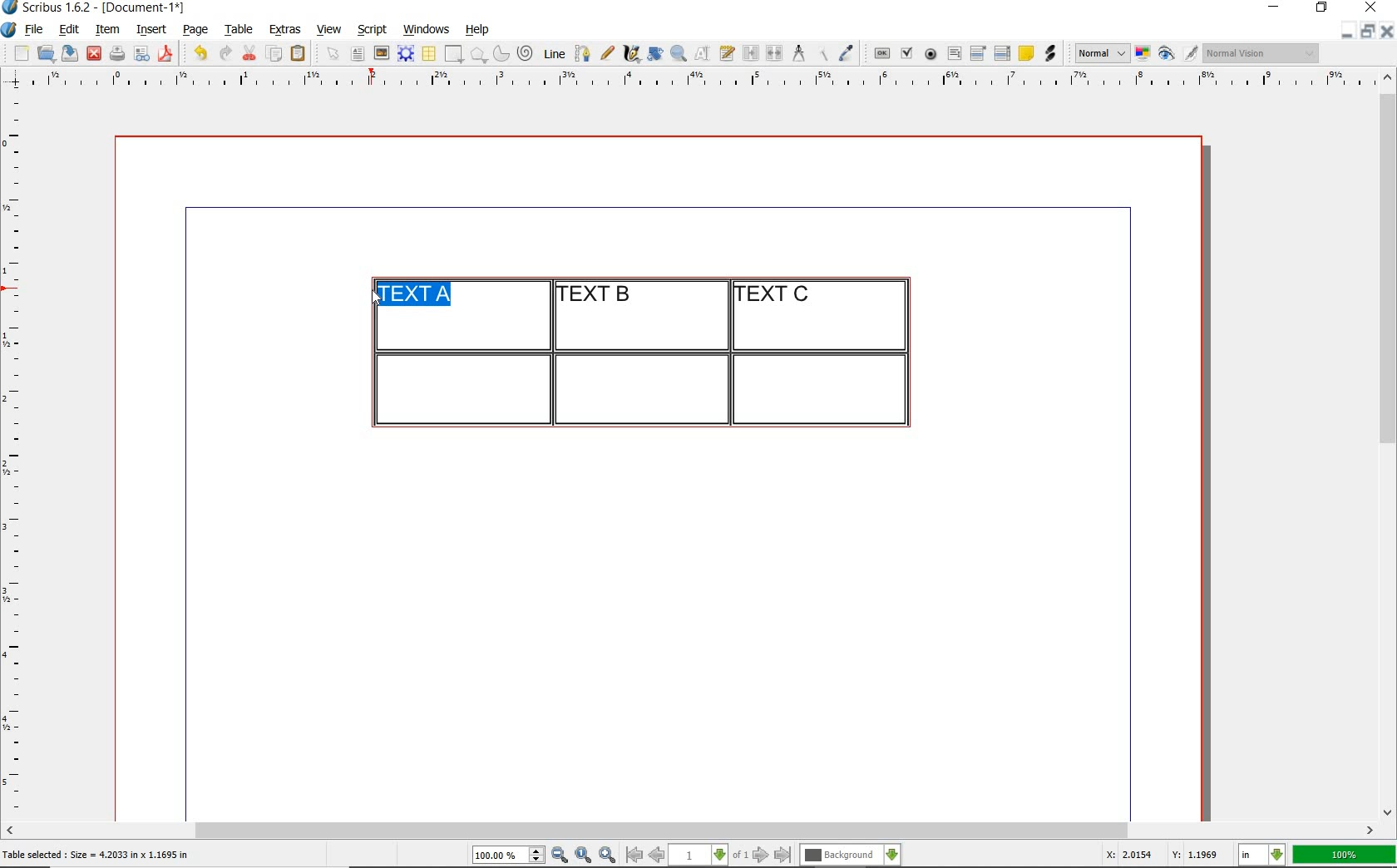 This screenshot has height=868, width=1397. I want to click on zoom out, so click(560, 856).